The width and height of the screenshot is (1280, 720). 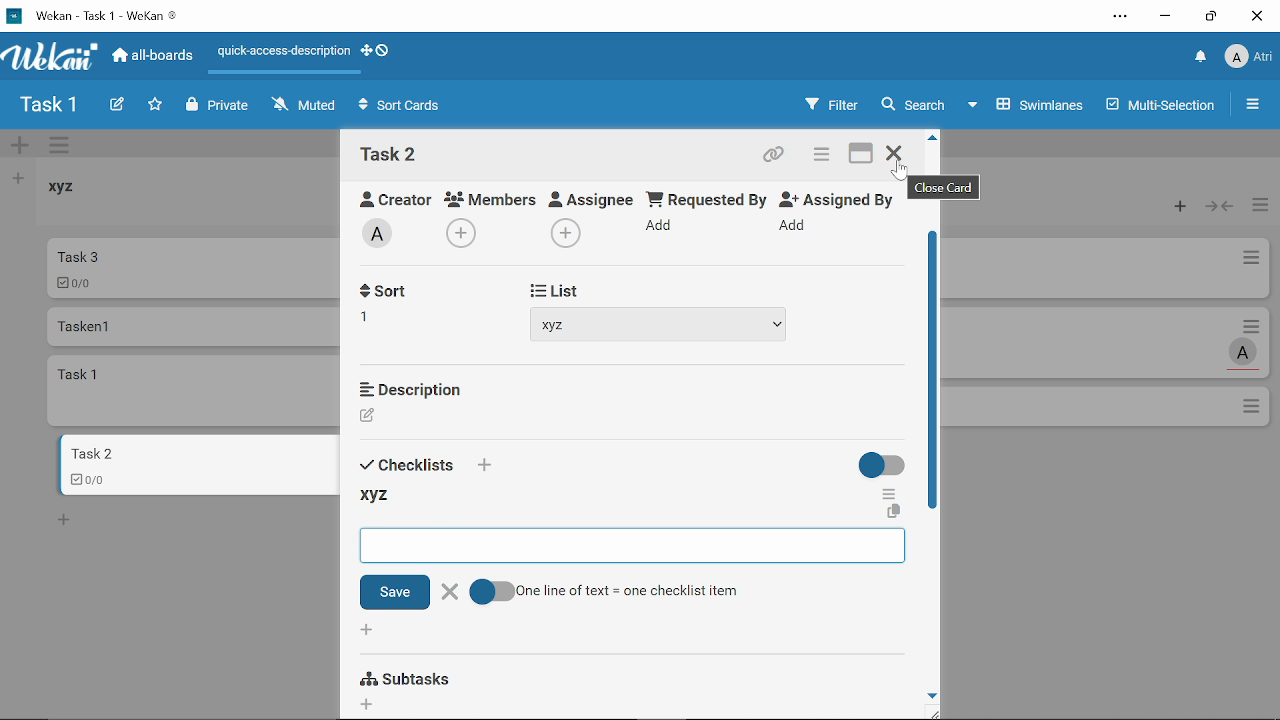 I want to click on Swimlanes, so click(x=1028, y=103).